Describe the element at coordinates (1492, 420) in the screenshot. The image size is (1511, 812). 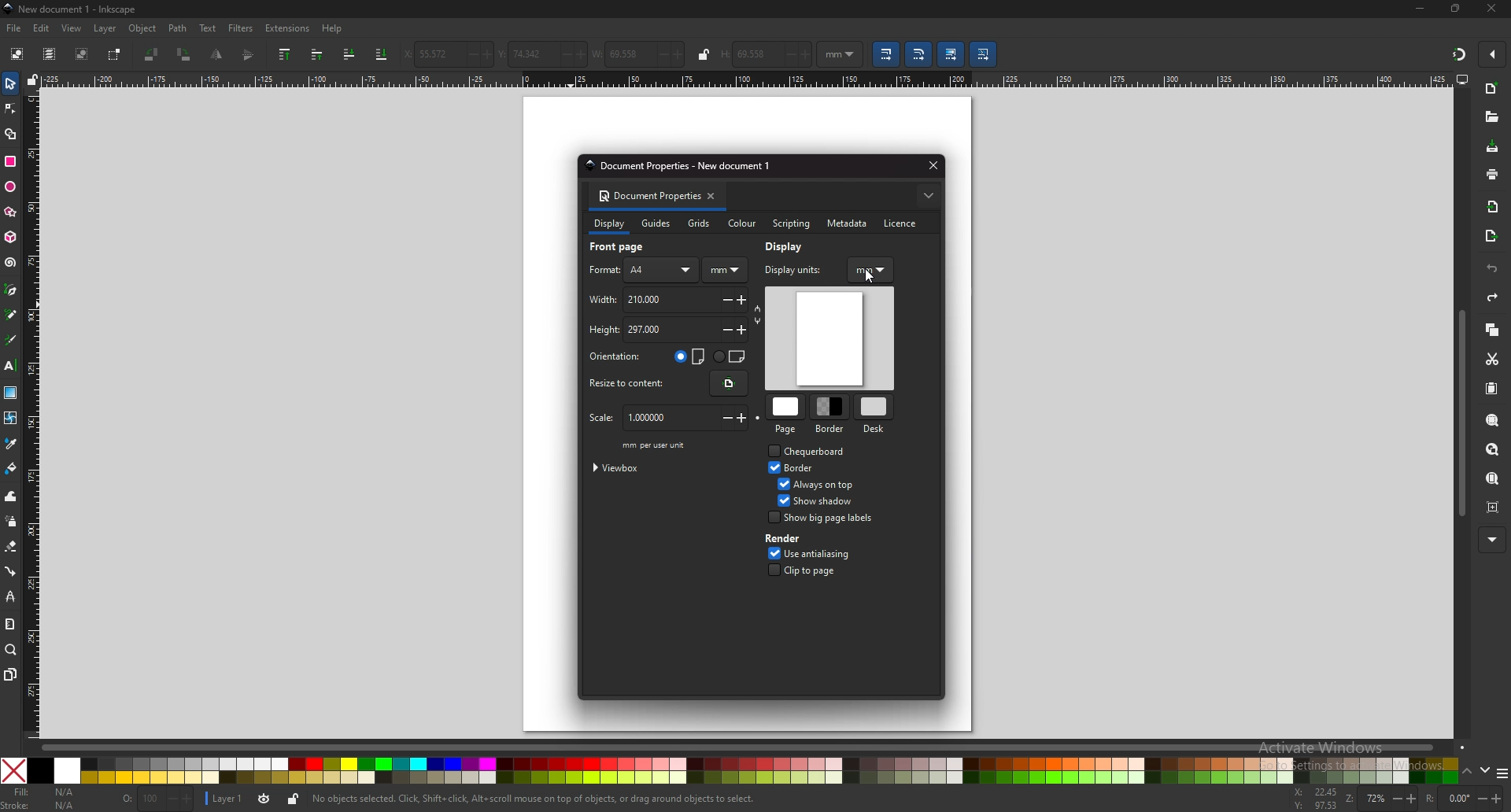
I see `zoom selection` at that location.